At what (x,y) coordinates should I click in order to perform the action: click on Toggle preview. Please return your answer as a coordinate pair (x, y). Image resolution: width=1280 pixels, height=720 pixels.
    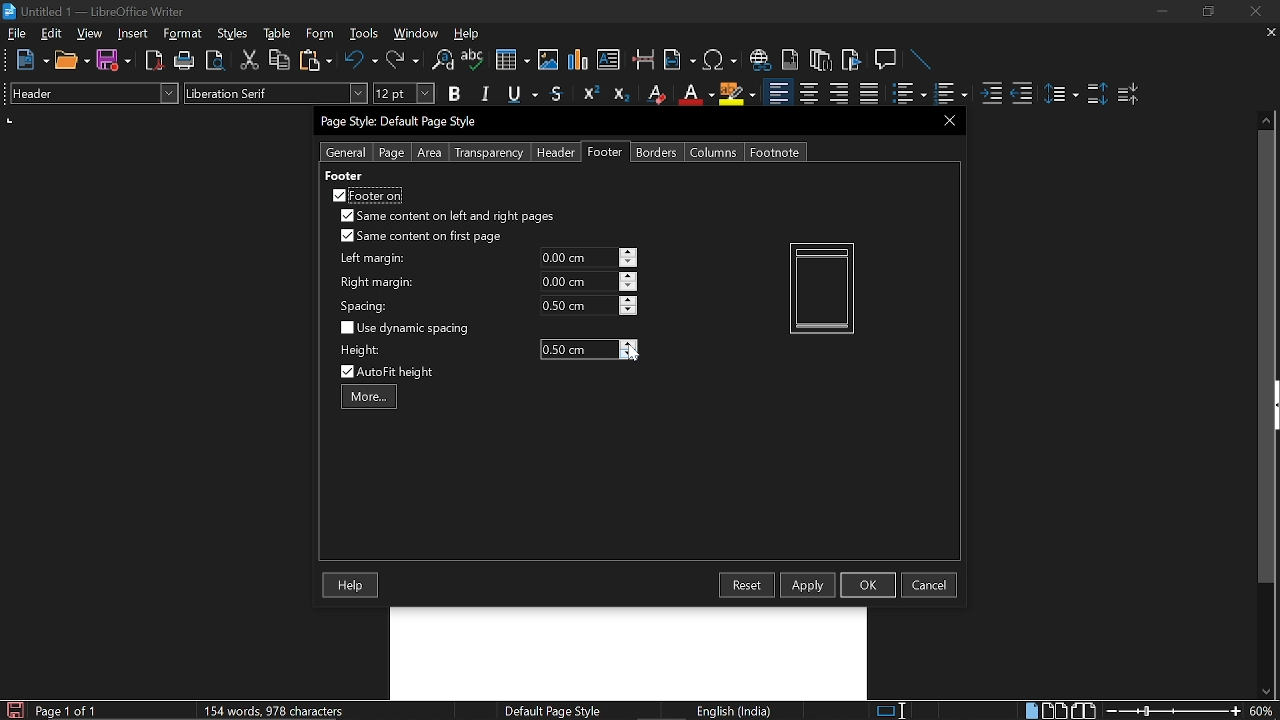
    Looking at the image, I should click on (214, 61).